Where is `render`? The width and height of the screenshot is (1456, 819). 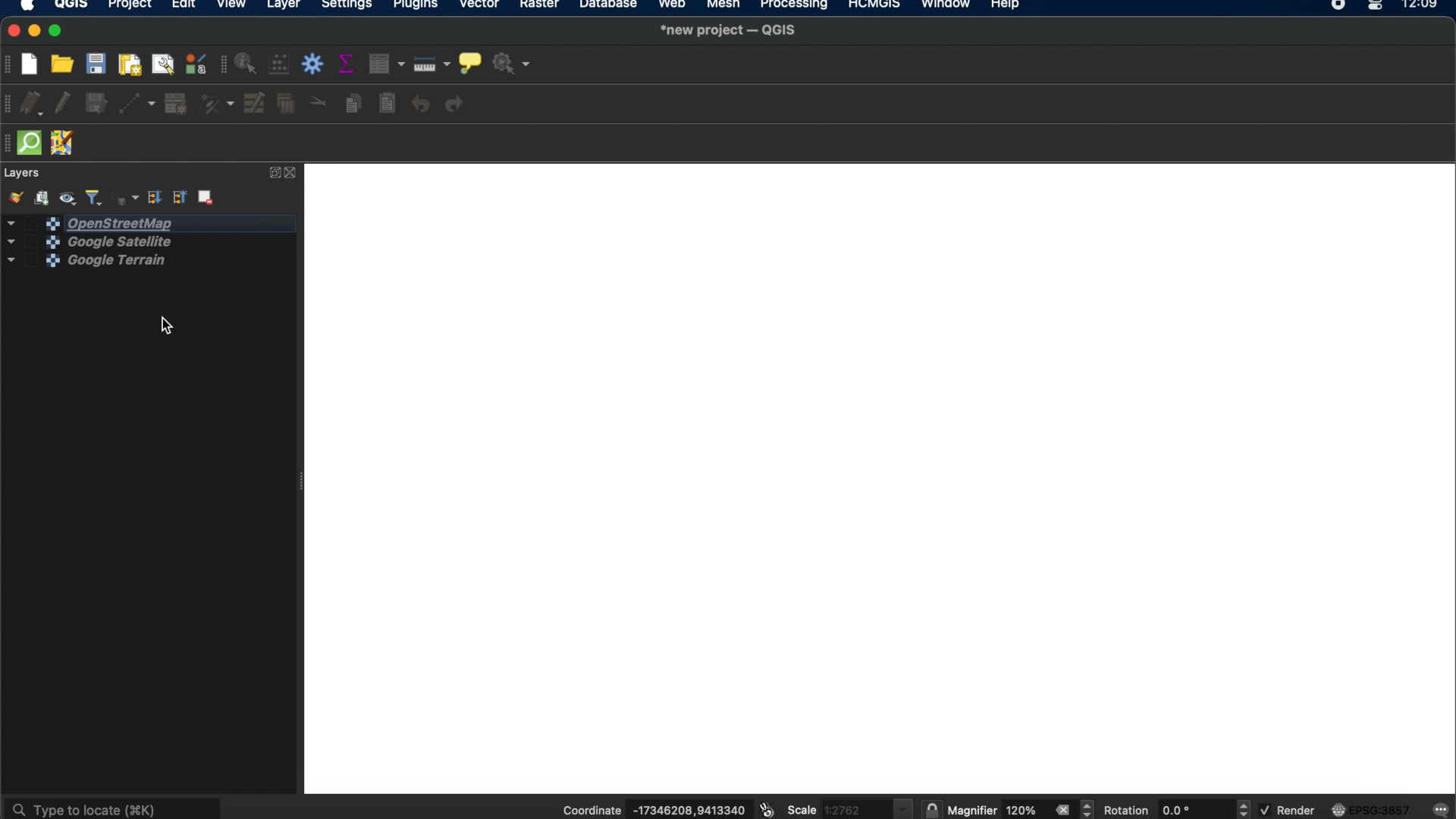
render is located at coordinates (1287, 810).